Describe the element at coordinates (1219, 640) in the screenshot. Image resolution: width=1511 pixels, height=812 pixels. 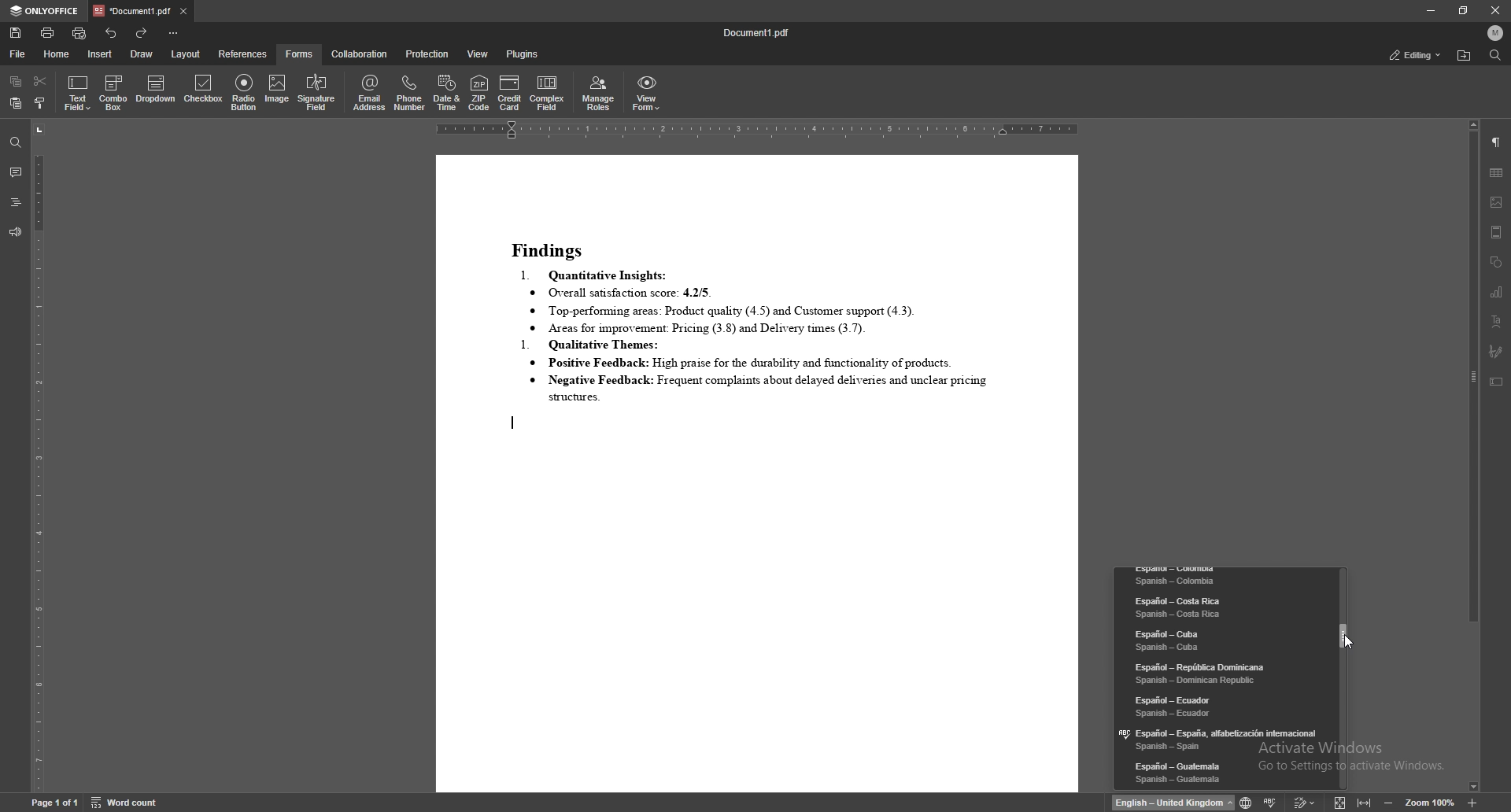
I see `language` at that location.